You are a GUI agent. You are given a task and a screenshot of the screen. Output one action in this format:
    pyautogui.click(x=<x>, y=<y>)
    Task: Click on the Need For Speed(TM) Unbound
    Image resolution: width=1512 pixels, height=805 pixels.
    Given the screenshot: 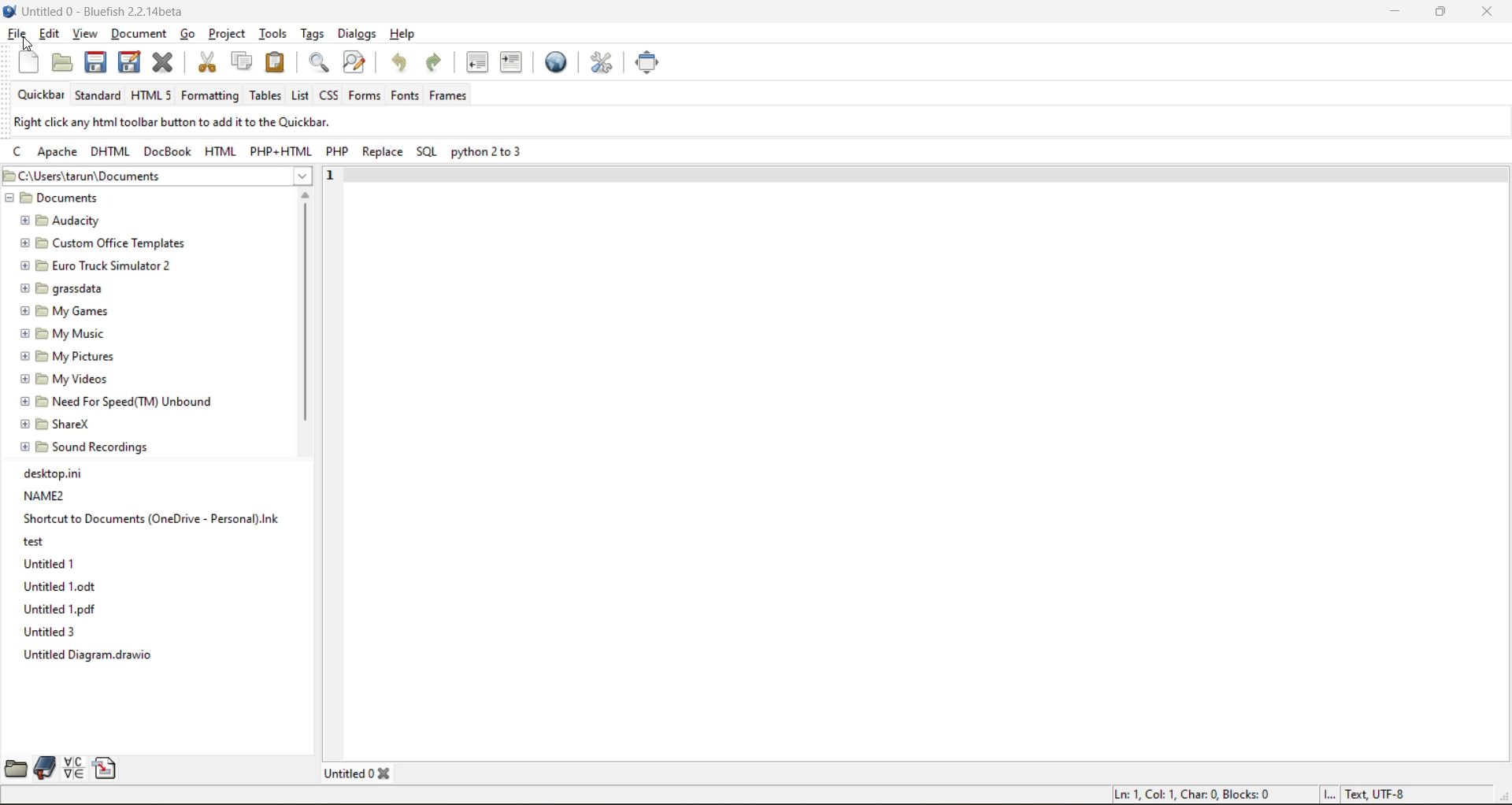 What is the action you would take?
    pyautogui.click(x=118, y=402)
    